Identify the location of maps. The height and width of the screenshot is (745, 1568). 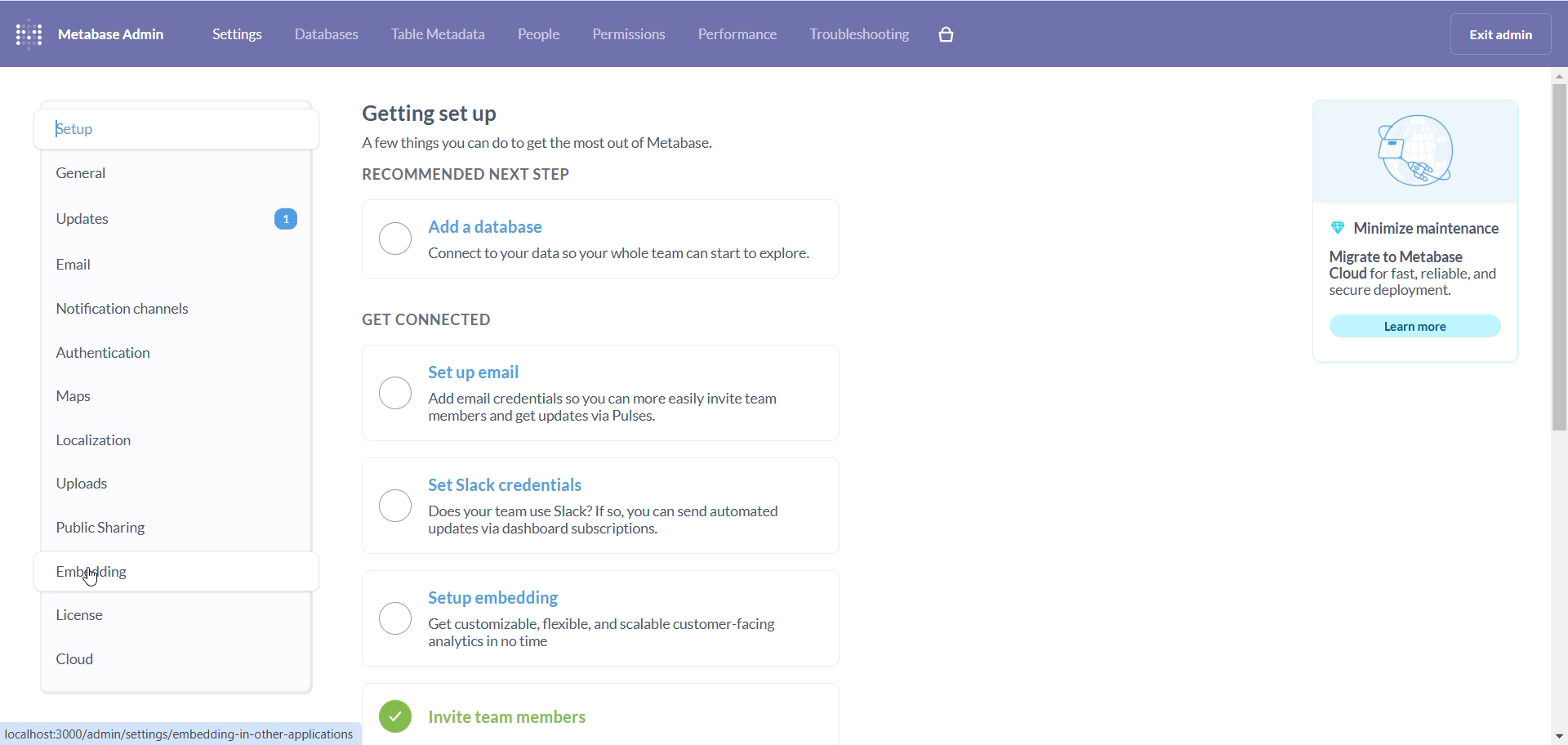
(153, 401).